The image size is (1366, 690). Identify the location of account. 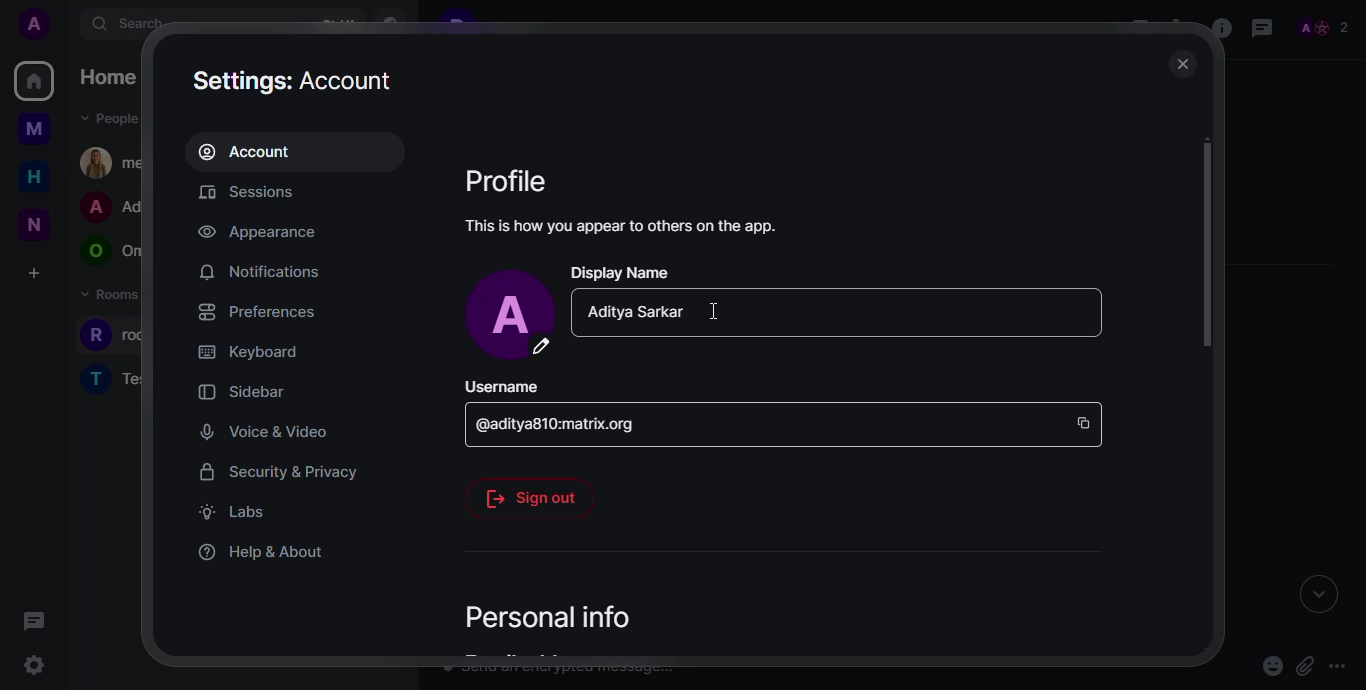
(253, 151).